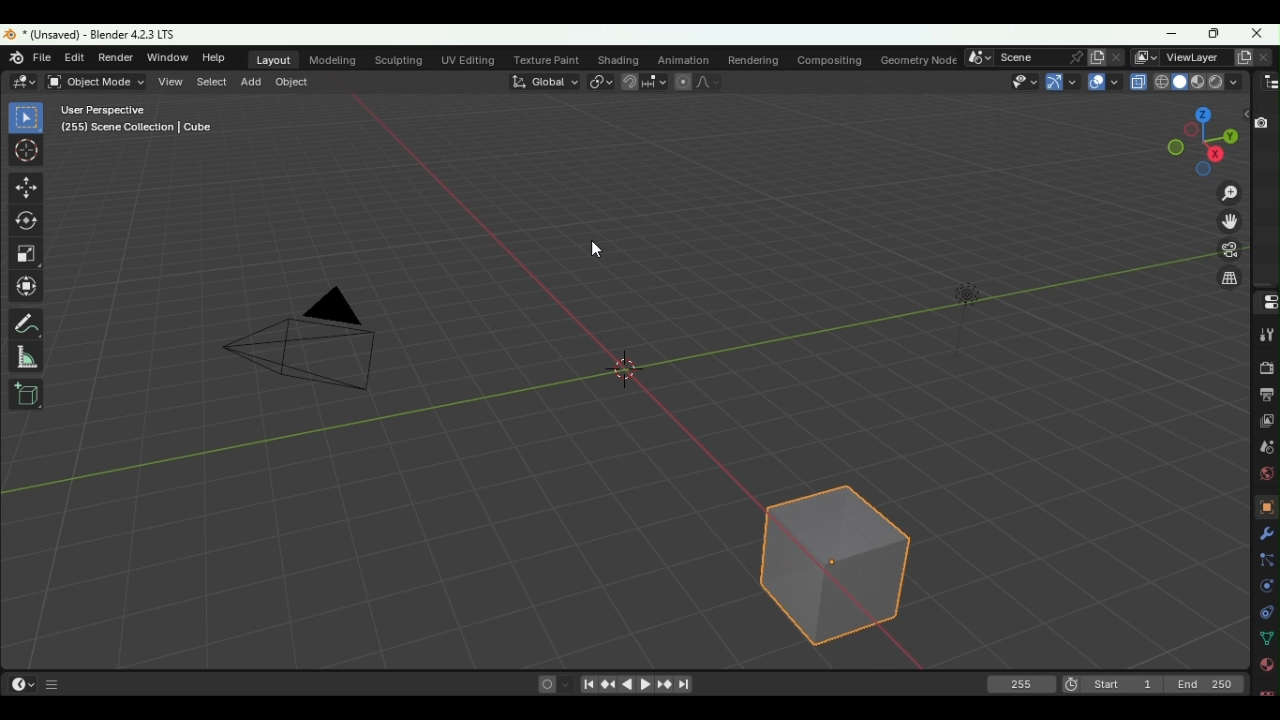 This screenshot has width=1280, height=720. What do you see at coordinates (654, 81) in the screenshot?
I see `Snapping` at bounding box center [654, 81].